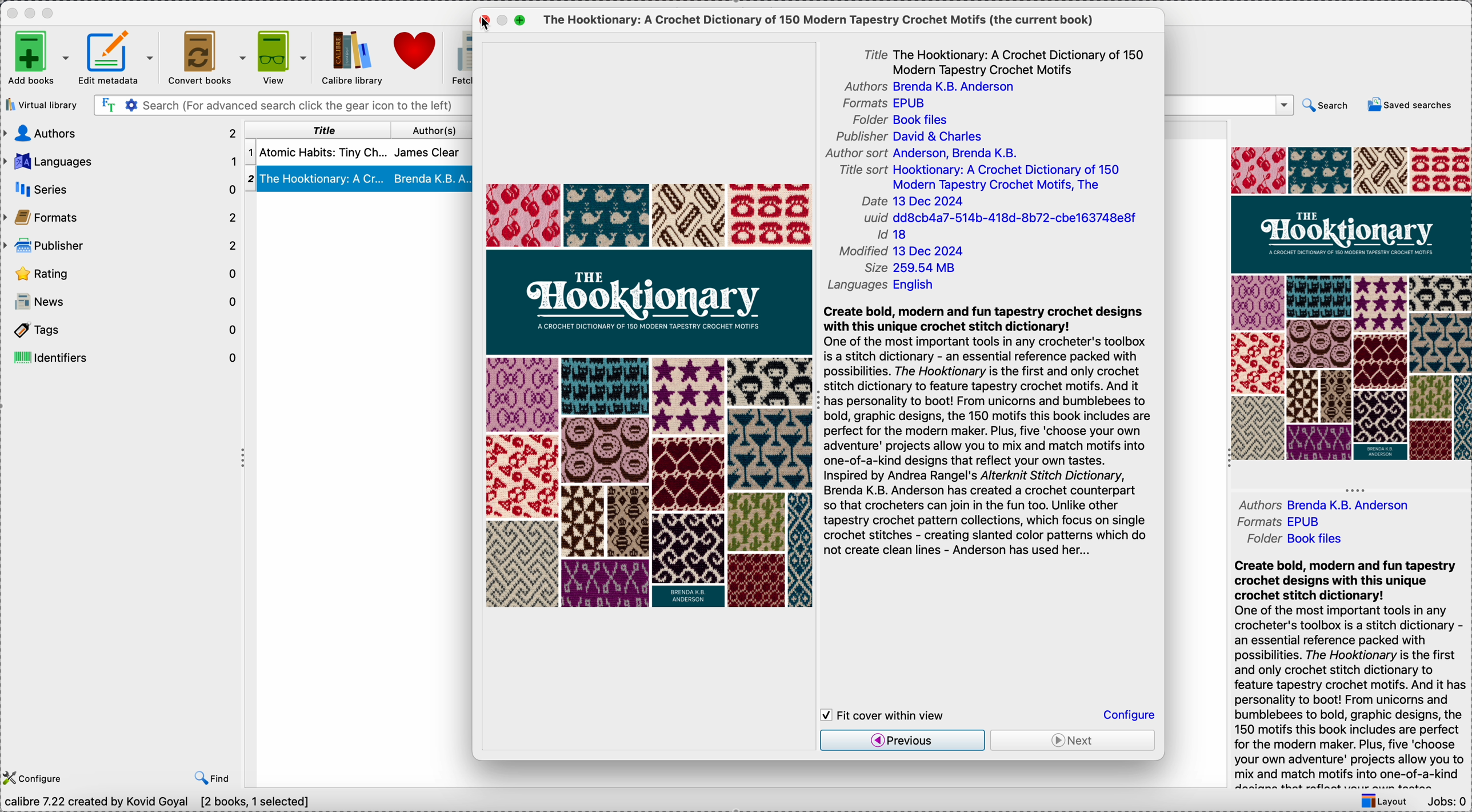  I want to click on synopsis, so click(1347, 671).